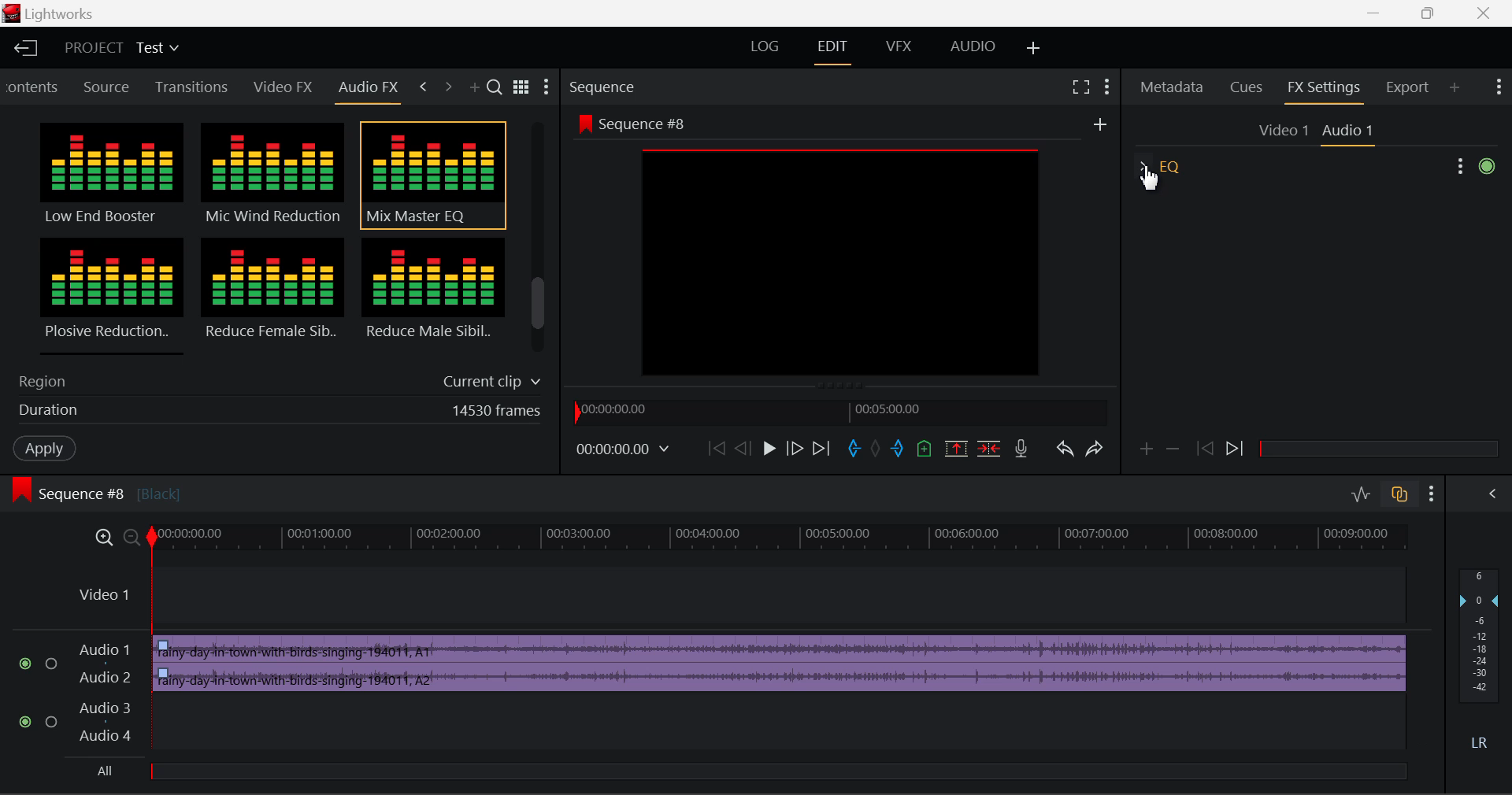 This screenshot has height=795, width=1512. I want to click on Reduce Female Sibilance, so click(273, 296).